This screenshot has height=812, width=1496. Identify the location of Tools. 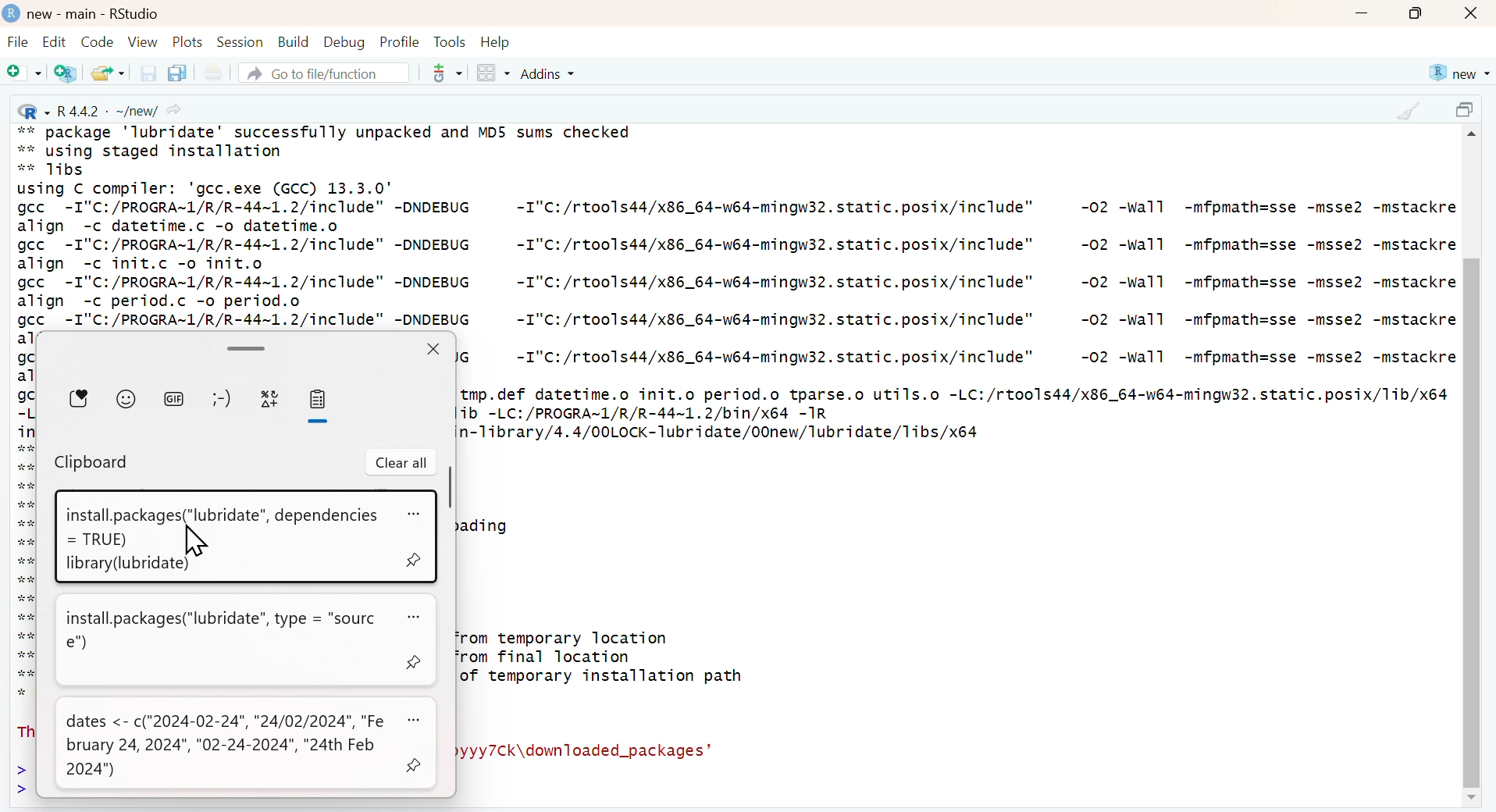
(450, 41).